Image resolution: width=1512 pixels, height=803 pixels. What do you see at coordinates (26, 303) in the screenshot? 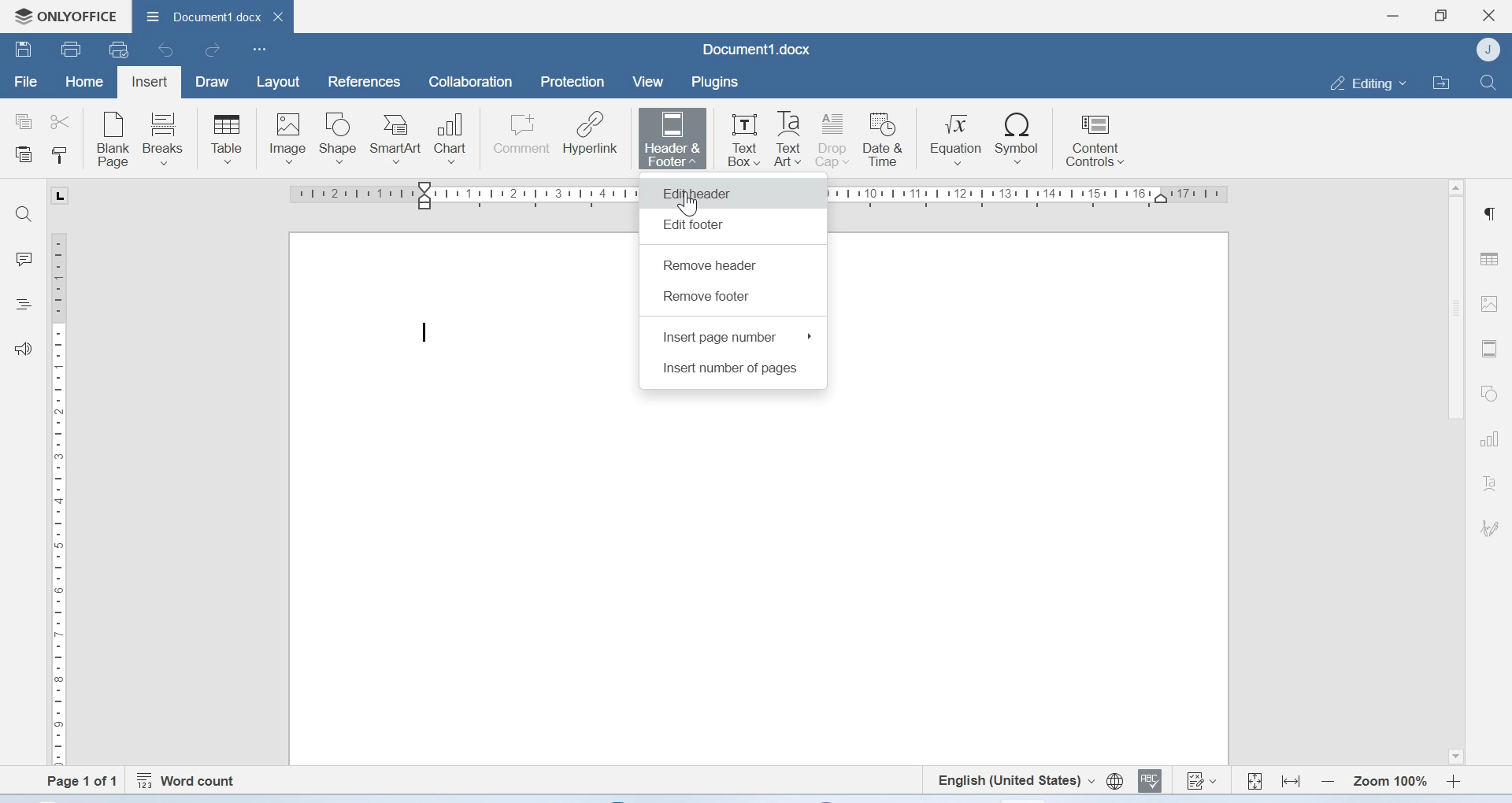
I see `Headings` at bounding box center [26, 303].